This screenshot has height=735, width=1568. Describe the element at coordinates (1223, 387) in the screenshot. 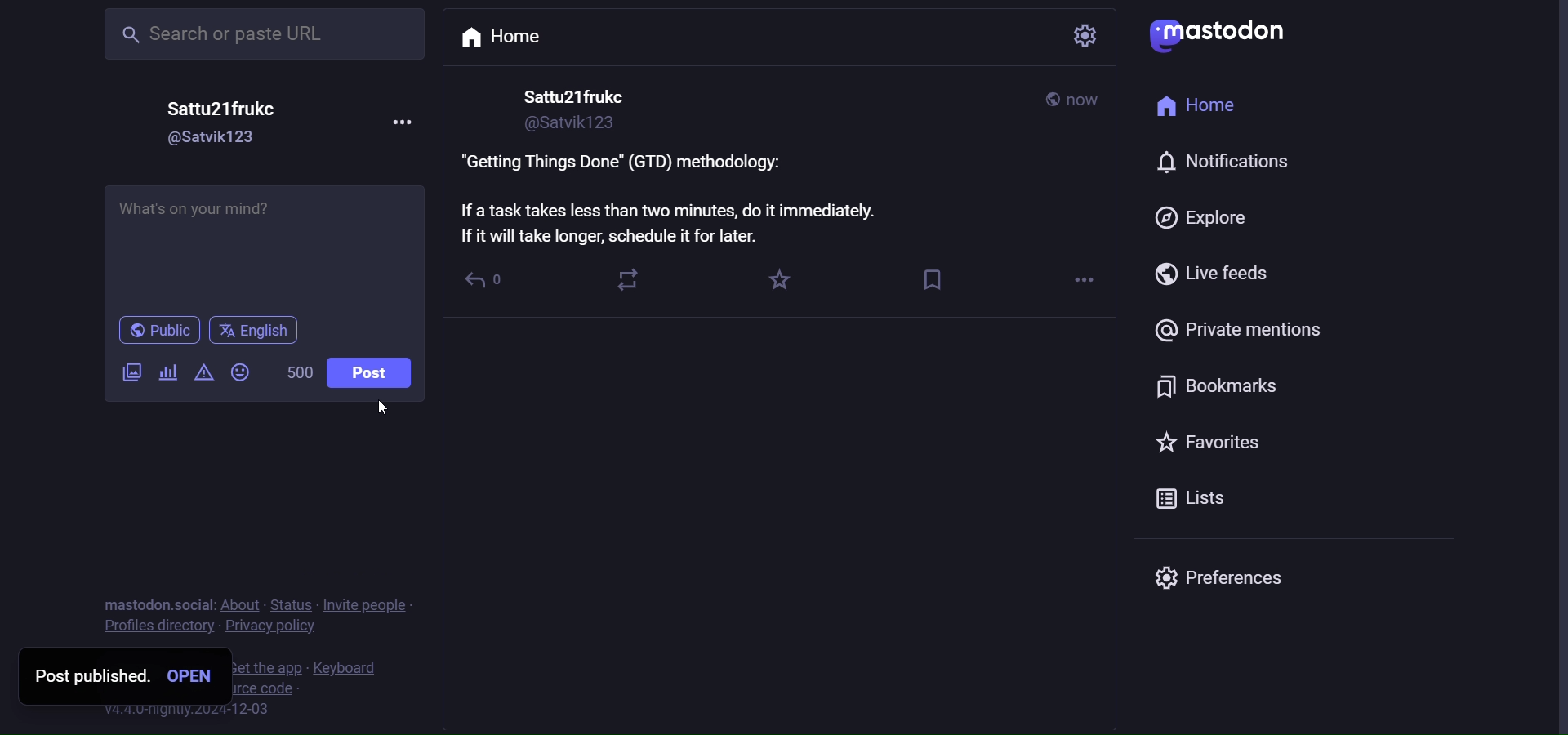

I see `bookmarks` at that location.